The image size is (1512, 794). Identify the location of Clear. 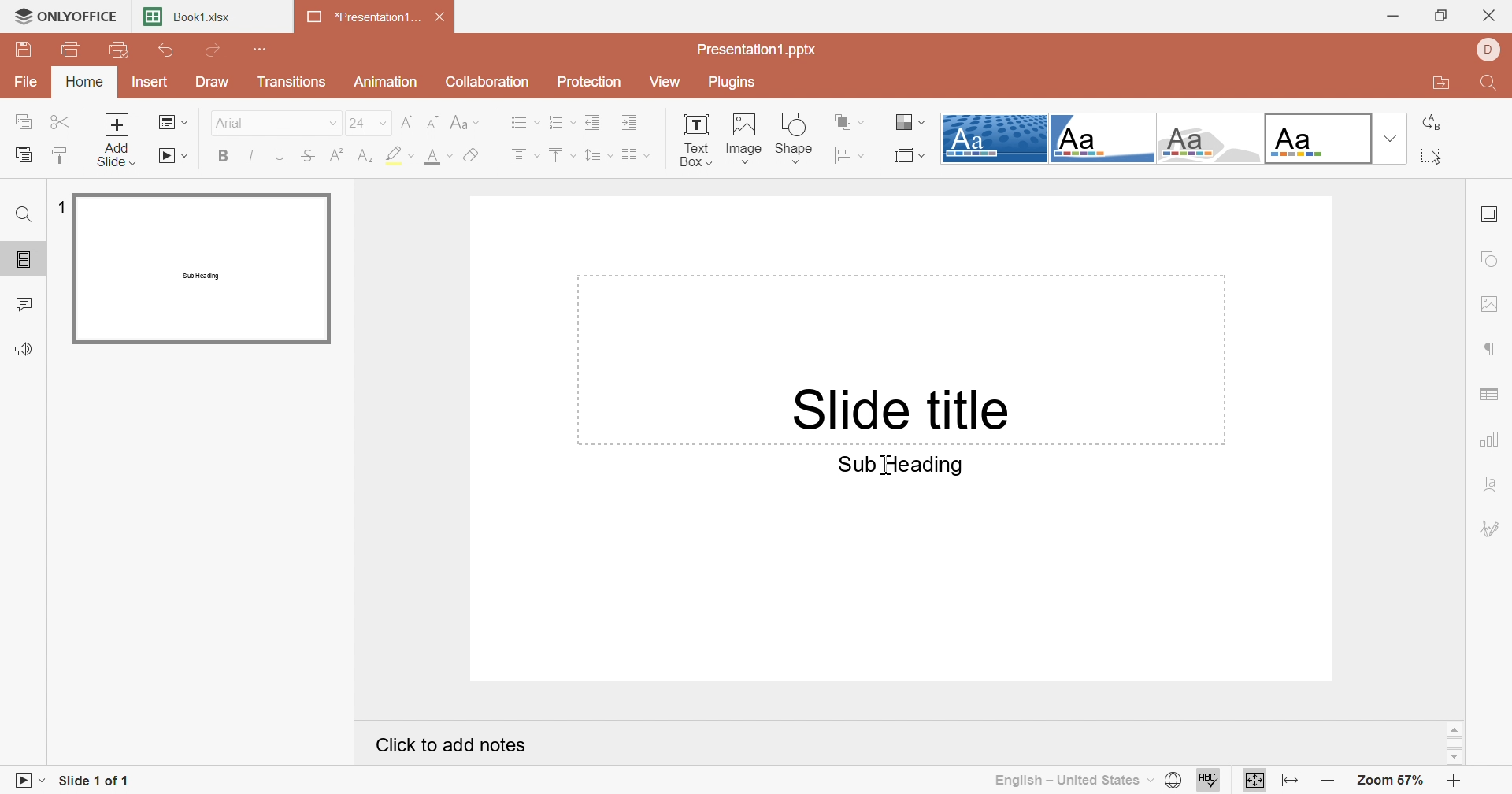
(472, 154).